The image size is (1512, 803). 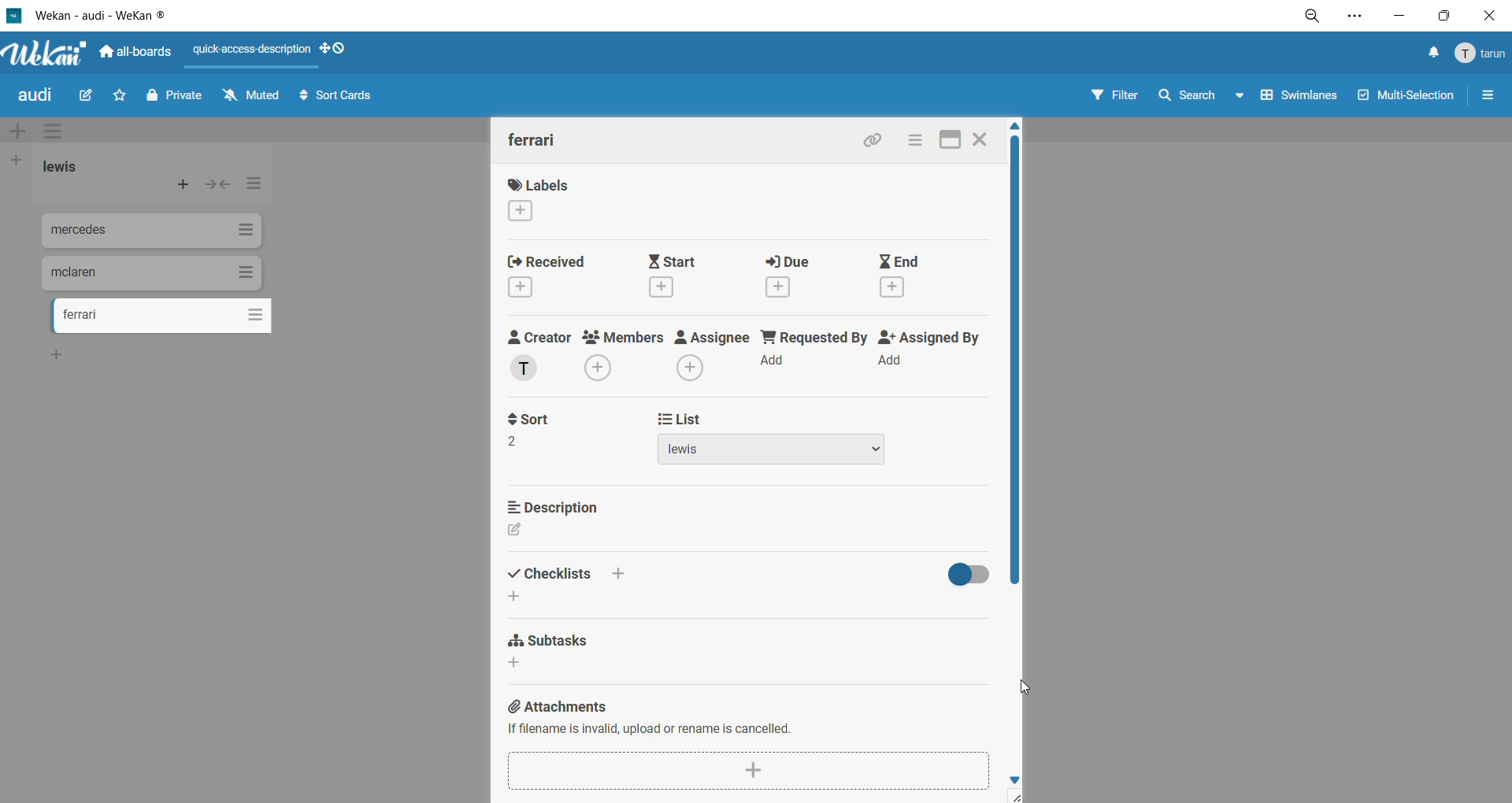 What do you see at coordinates (93, 96) in the screenshot?
I see `edit` at bounding box center [93, 96].